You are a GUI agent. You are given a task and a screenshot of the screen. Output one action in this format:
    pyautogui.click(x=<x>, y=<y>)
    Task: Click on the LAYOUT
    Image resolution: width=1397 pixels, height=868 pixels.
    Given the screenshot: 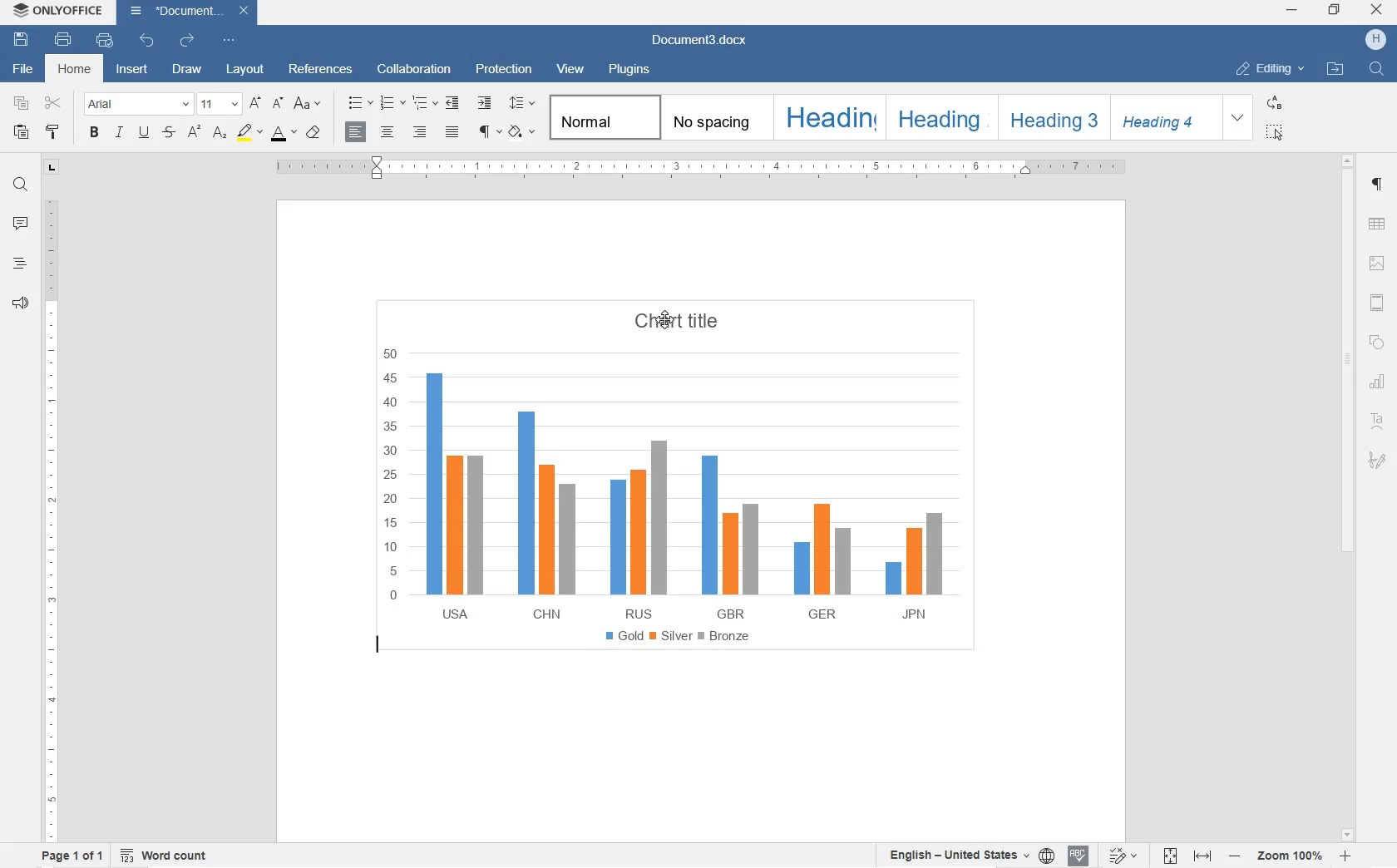 What is the action you would take?
    pyautogui.click(x=245, y=69)
    